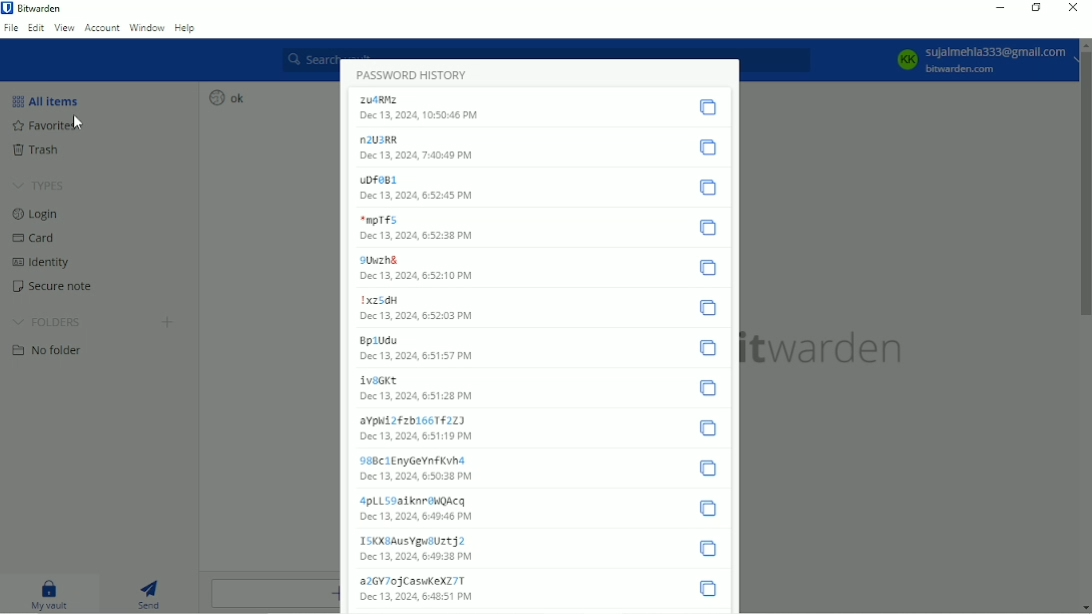 The height and width of the screenshot is (614, 1092). I want to click on Copy password, so click(707, 106).